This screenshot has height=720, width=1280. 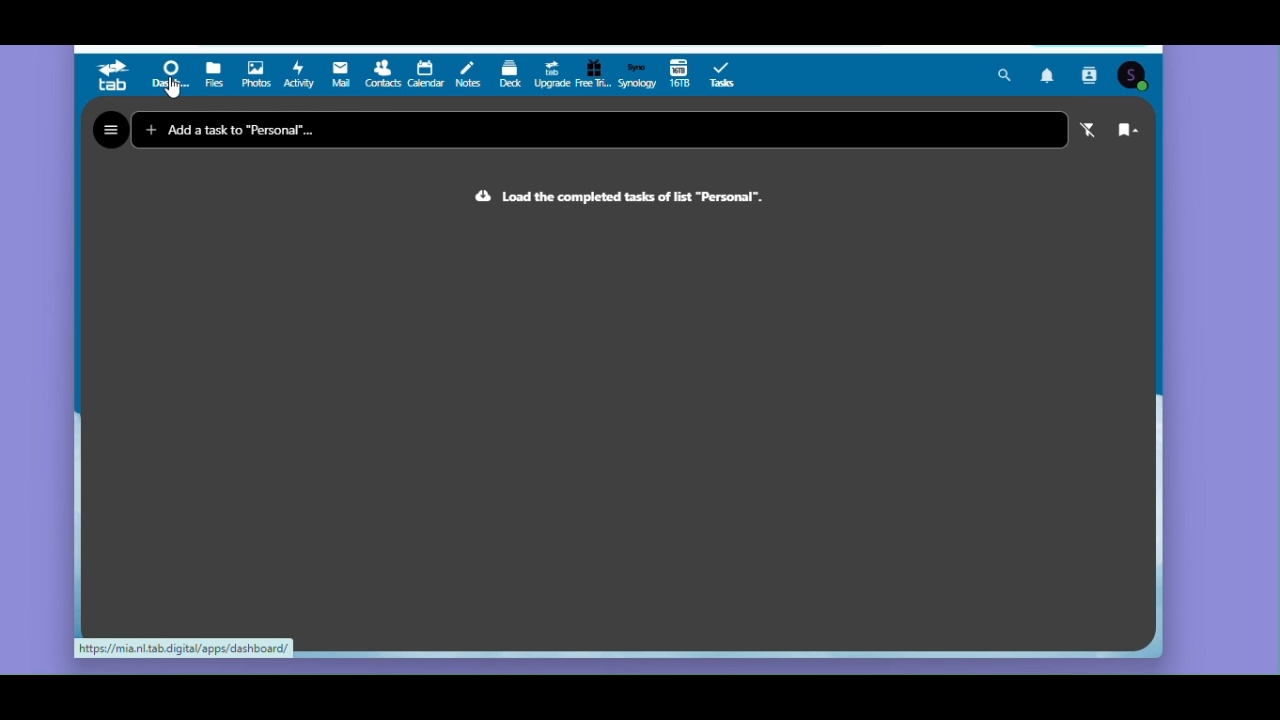 What do you see at coordinates (1091, 131) in the screenshot?
I see `Active filter` at bounding box center [1091, 131].